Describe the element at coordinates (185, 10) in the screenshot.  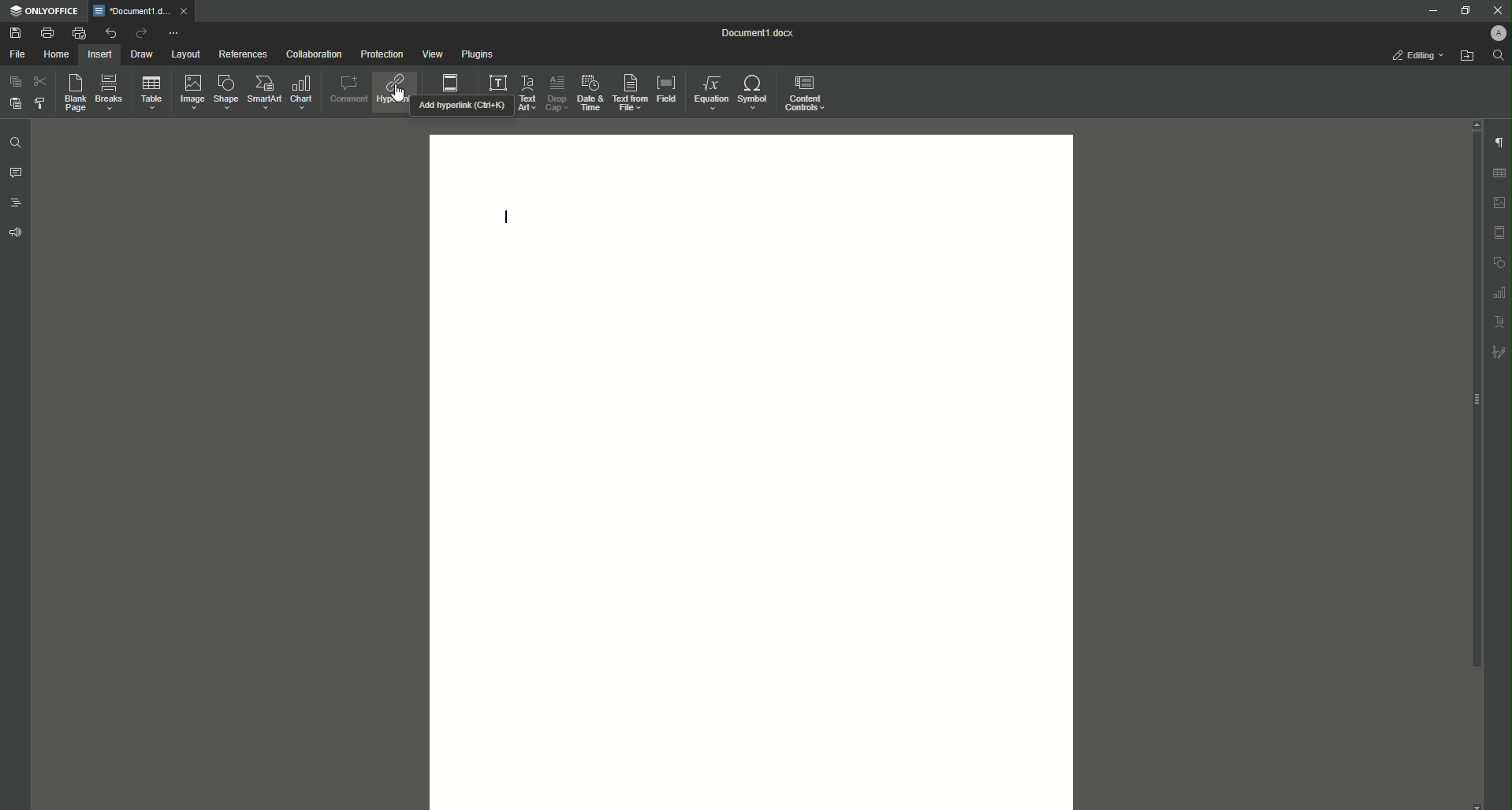
I see `close` at that location.